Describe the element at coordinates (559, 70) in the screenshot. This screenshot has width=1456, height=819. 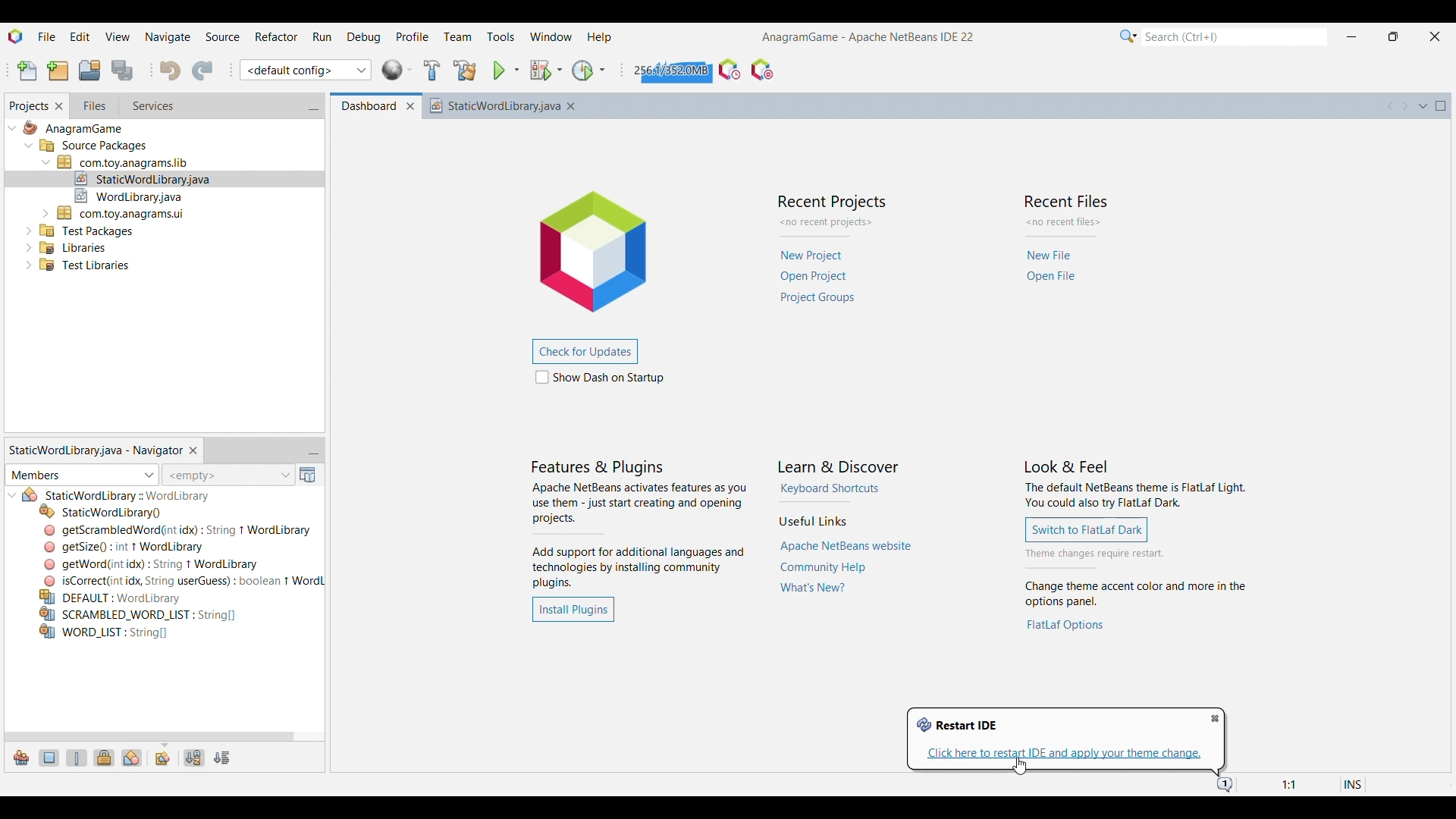
I see `Debug project options` at that location.